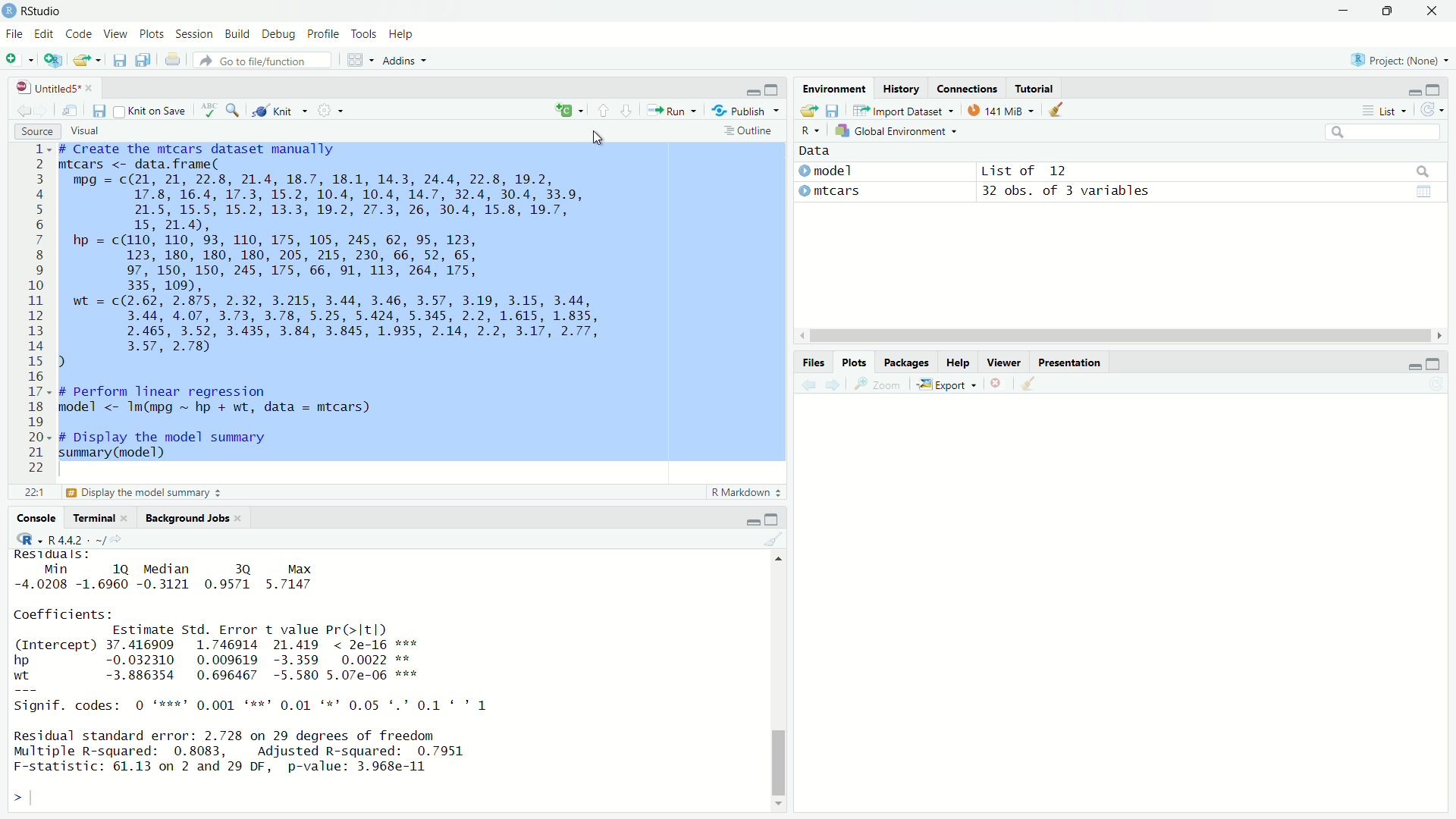 This screenshot has height=819, width=1456. Describe the element at coordinates (36, 133) in the screenshot. I see `source` at that location.